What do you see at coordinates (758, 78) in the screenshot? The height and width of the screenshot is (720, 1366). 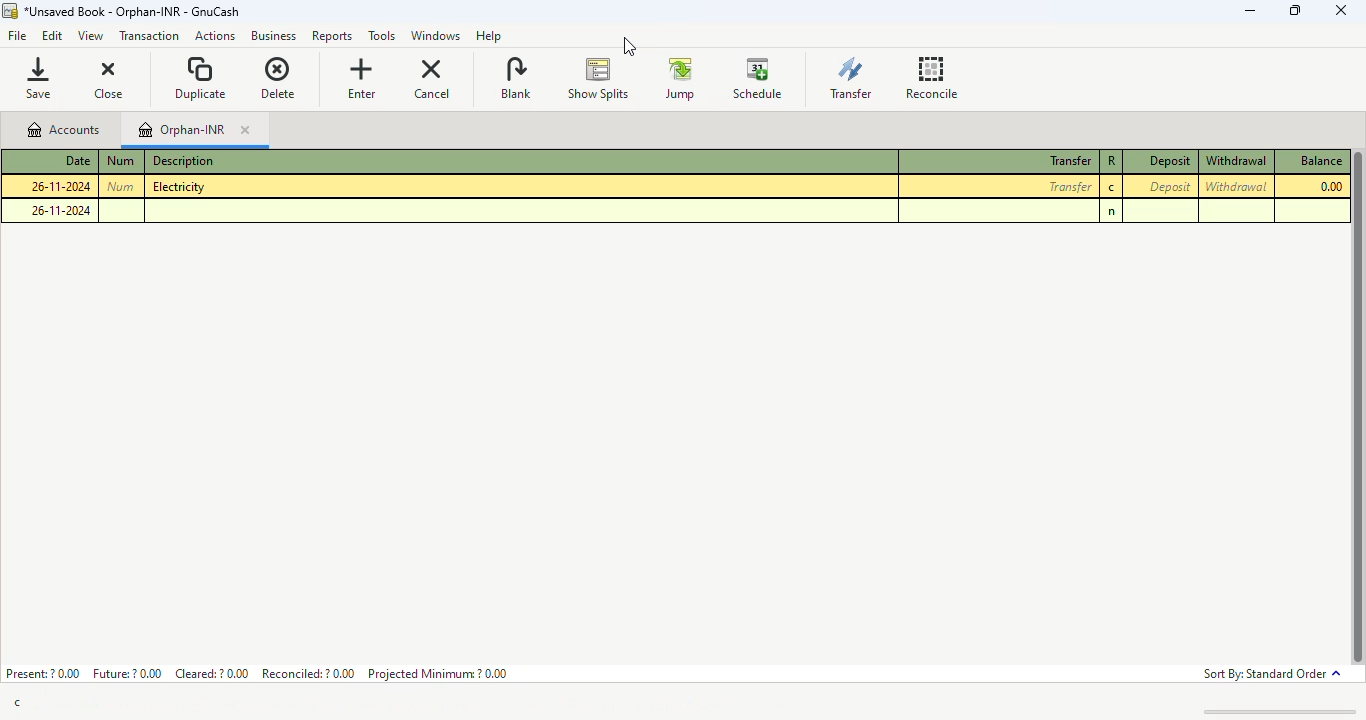 I see `schedule` at bounding box center [758, 78].